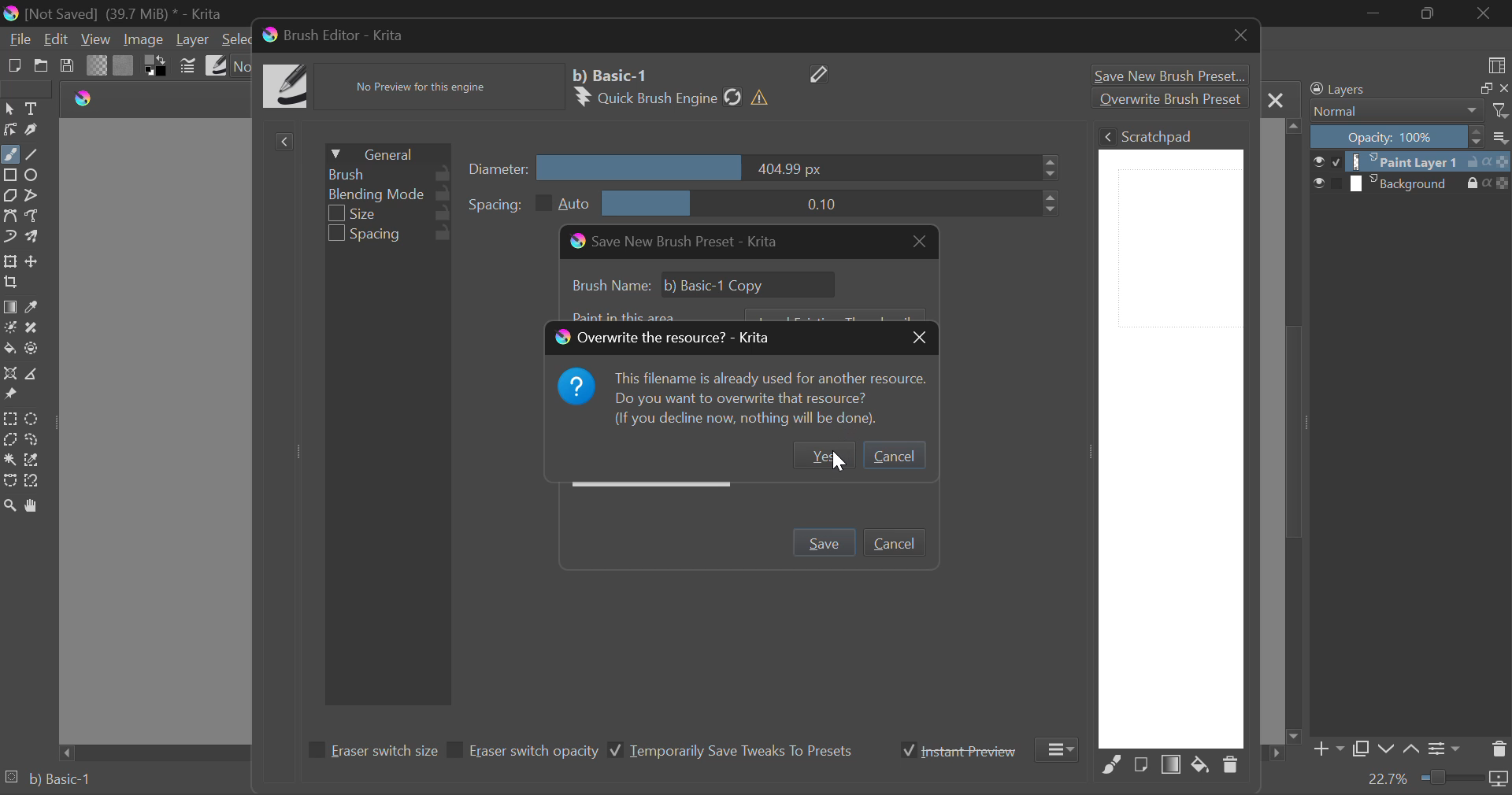  I want to click on Line, so click(32, 153).